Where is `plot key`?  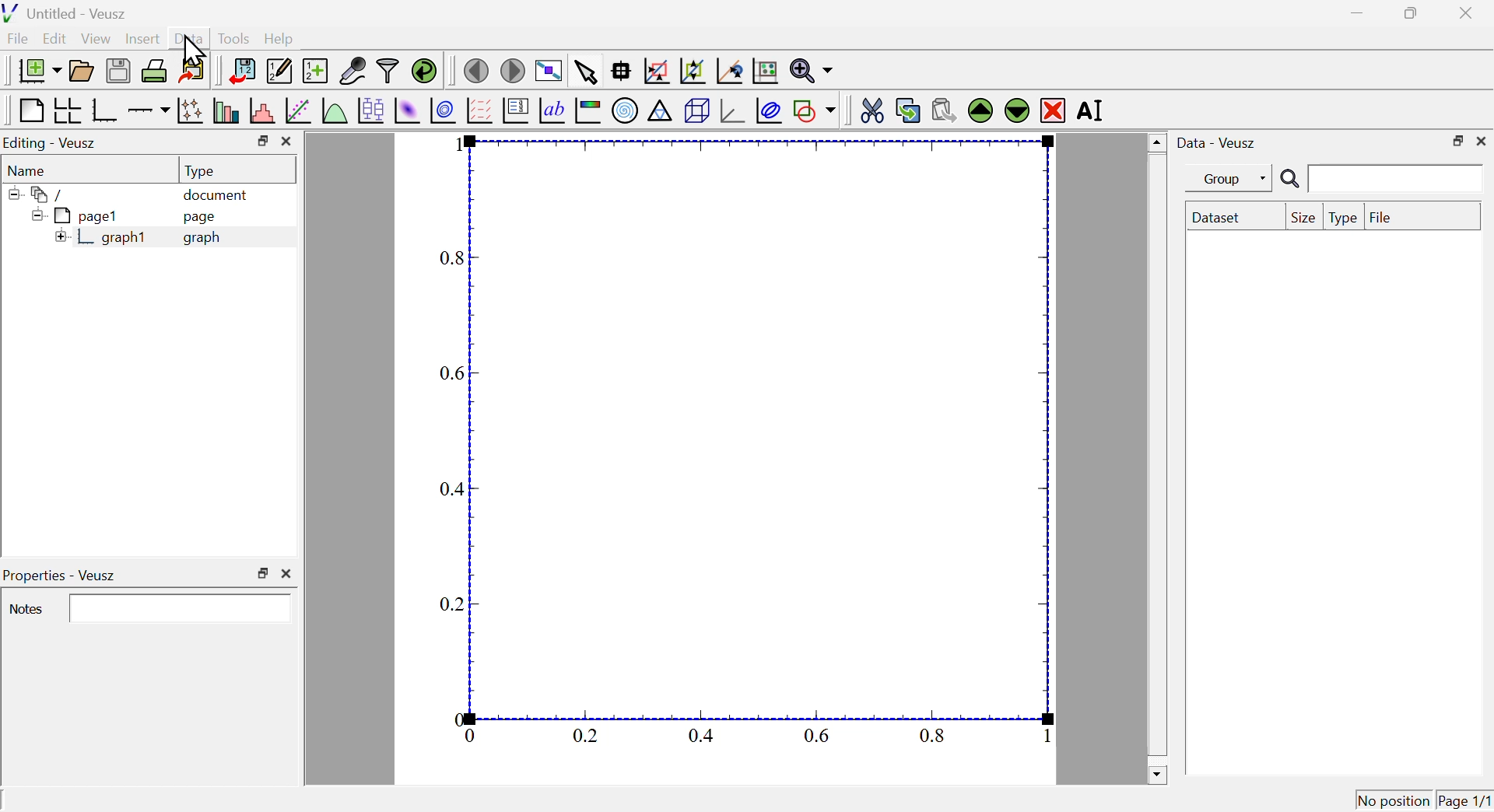
plot key is located at coordinates (516, 113).